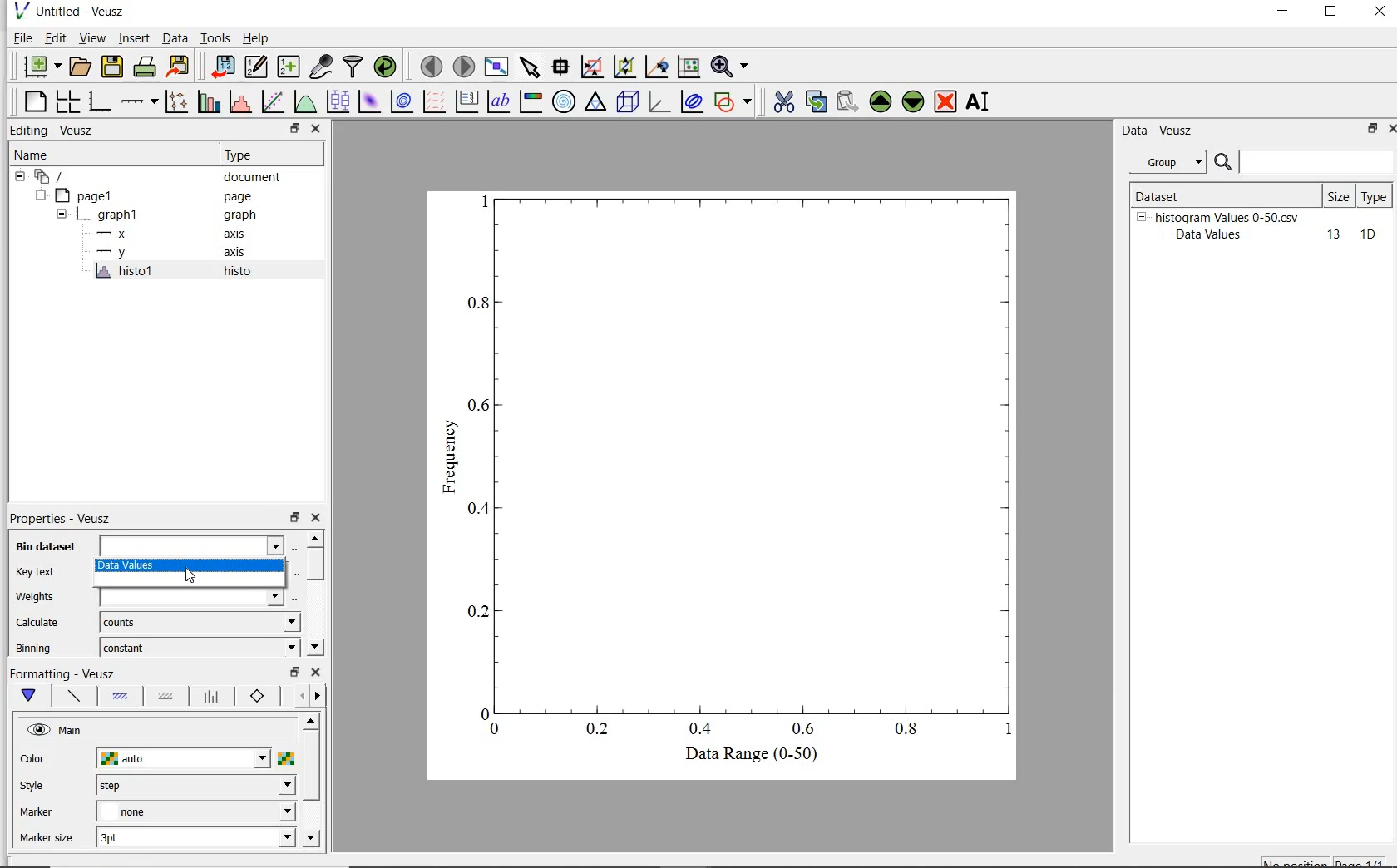 The image size is (1397, 868). I want to click on move to next page, so click(465, 66).